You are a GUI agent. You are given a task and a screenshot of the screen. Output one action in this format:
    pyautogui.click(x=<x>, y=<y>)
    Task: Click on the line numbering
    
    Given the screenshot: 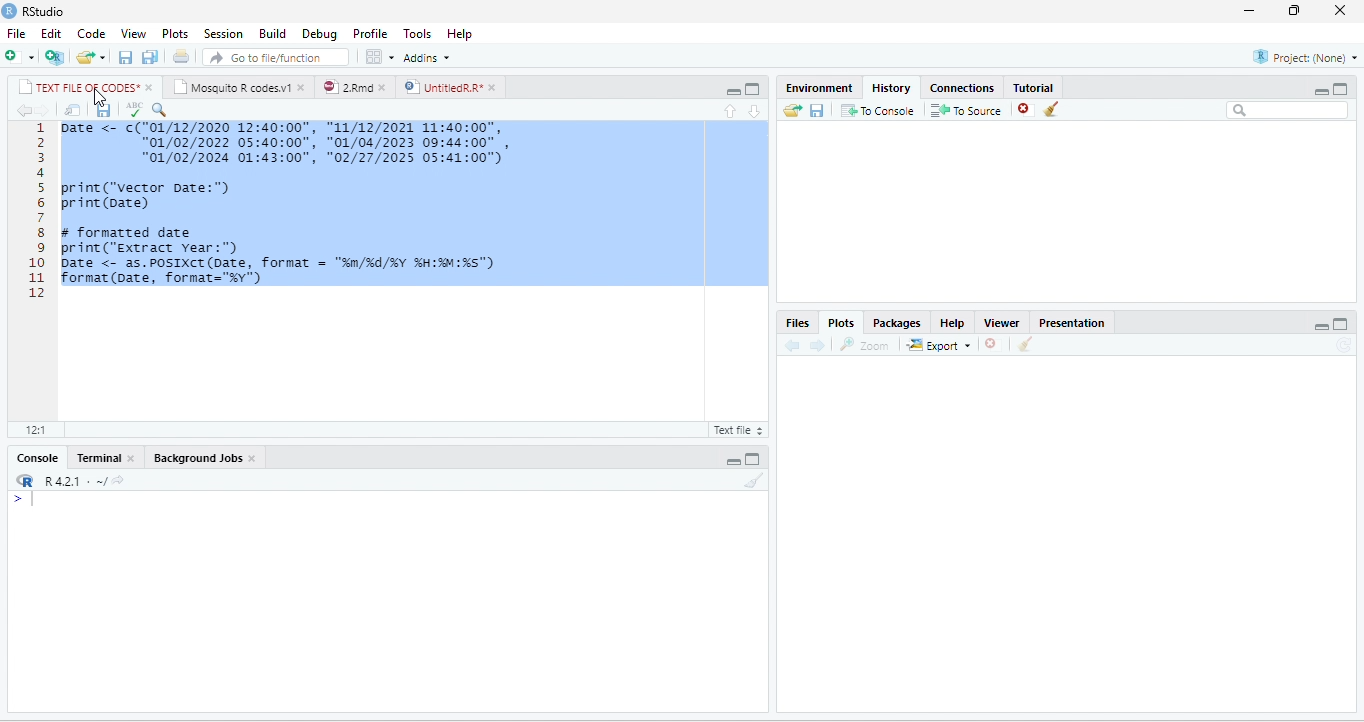 What is the action you would take?
    pyautogui.click(x=37, y=210)
    